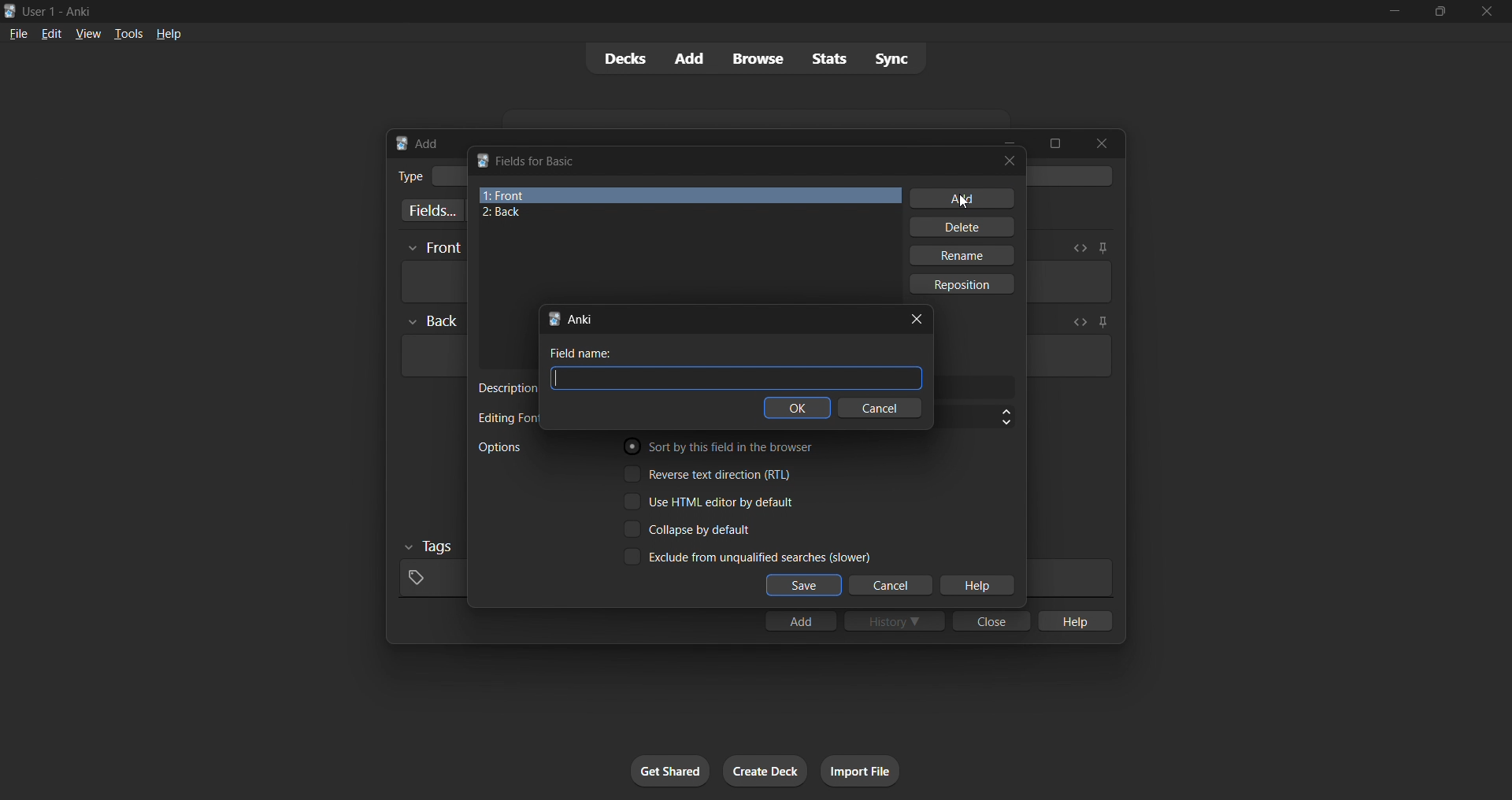 This screenshot has width=1512, height=800. What do you see at coordinates (433, 321) in the screenshot?
I see `` at bounding box center [433, 321].